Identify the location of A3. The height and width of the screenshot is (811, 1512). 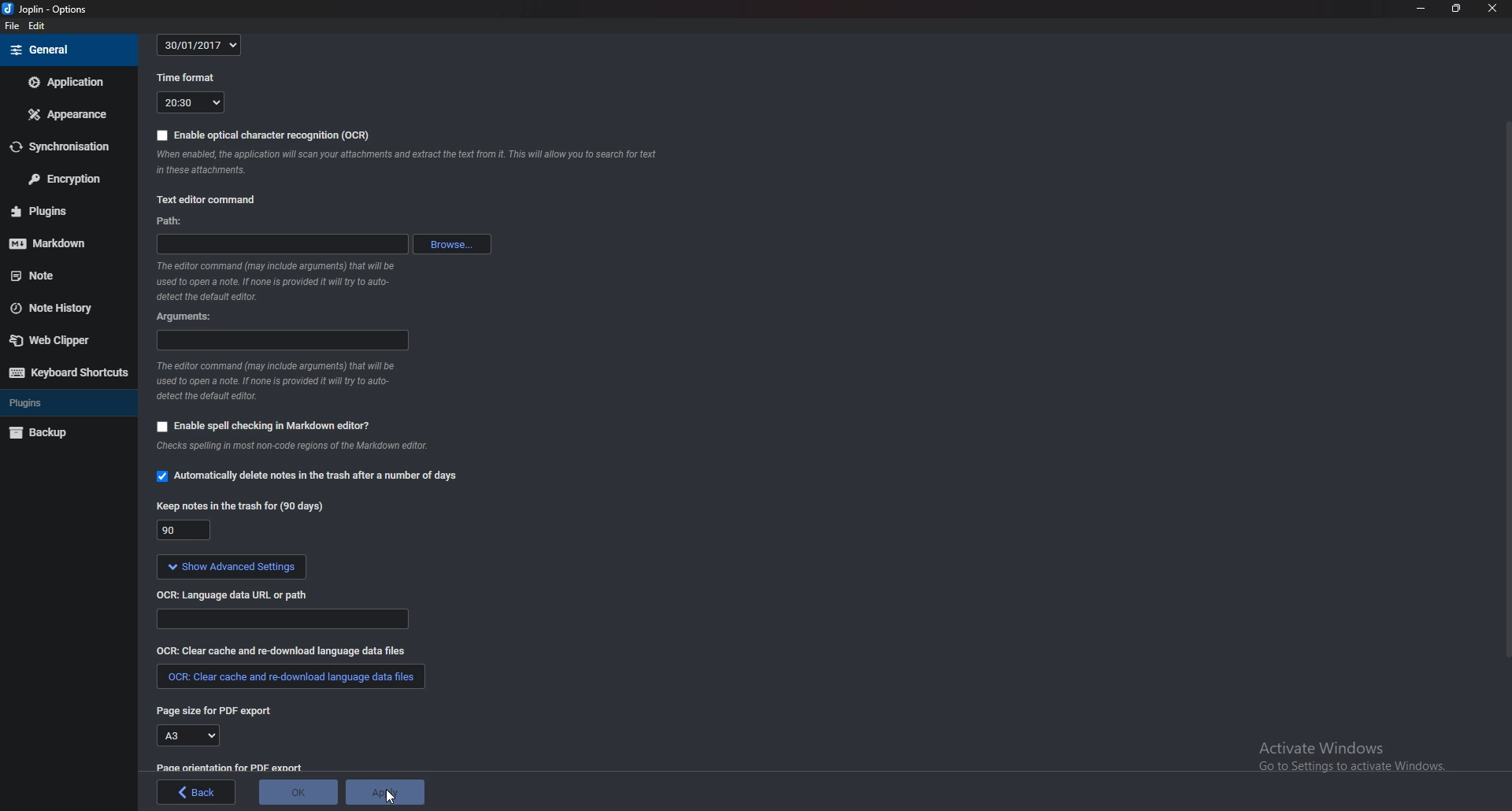
(193, 735).